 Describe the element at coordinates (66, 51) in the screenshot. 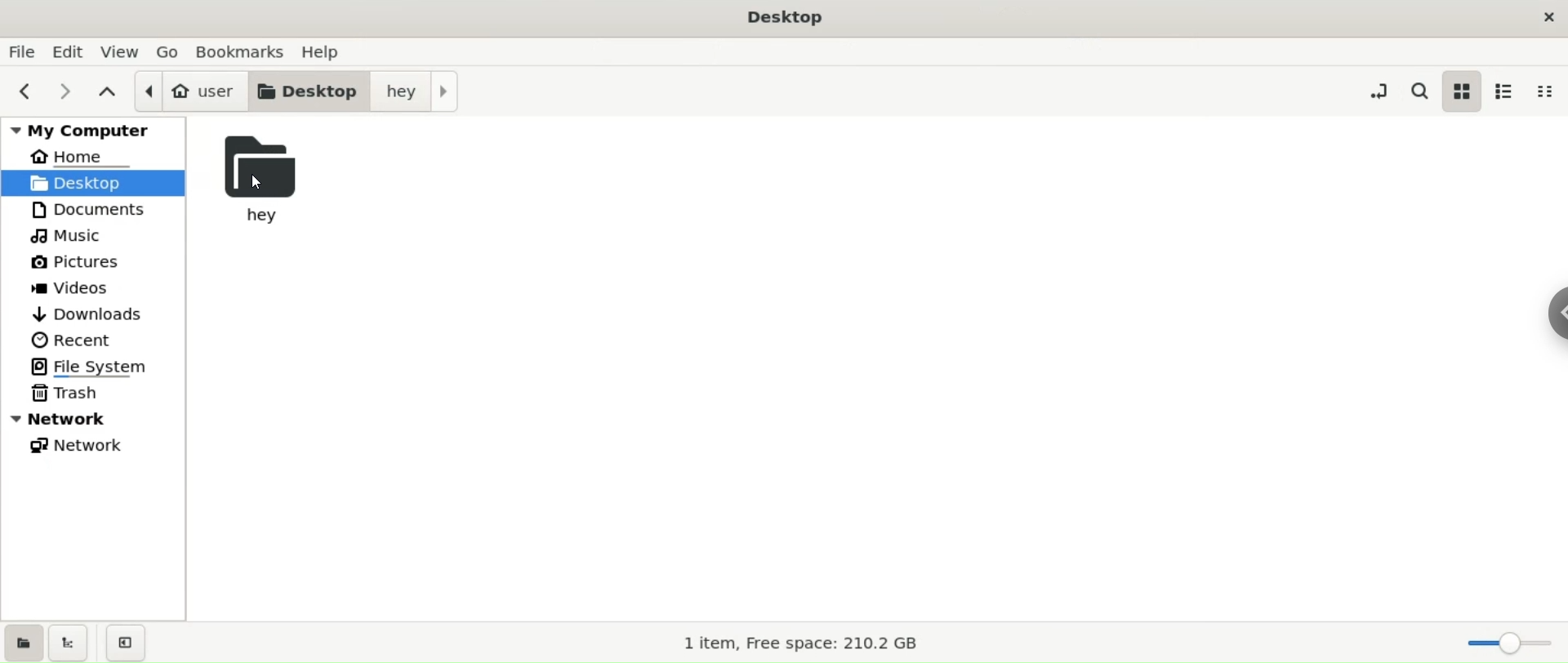

I see `edit` at that location.